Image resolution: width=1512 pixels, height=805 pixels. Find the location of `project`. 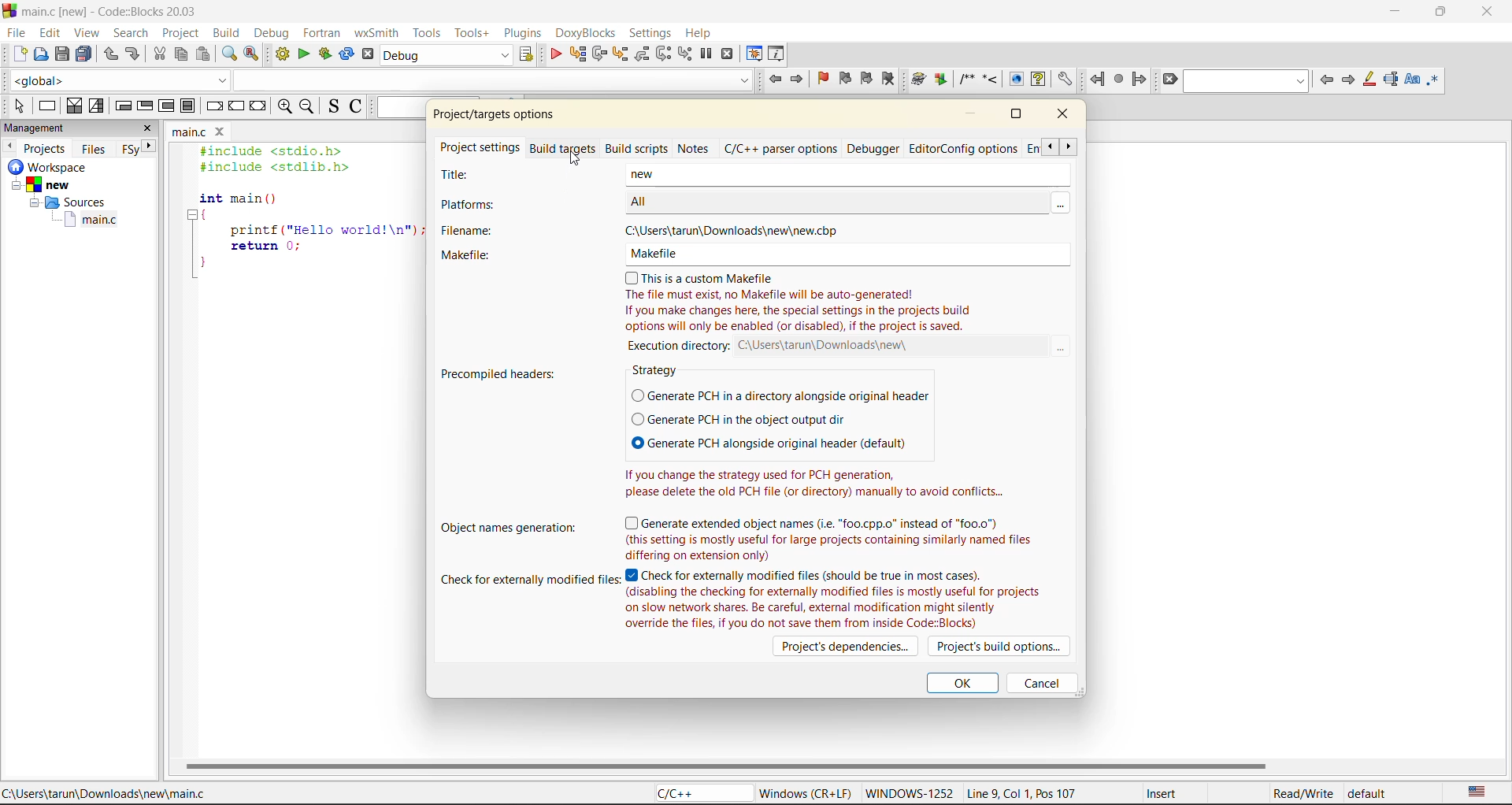

project is located at coordinates (180, 34).